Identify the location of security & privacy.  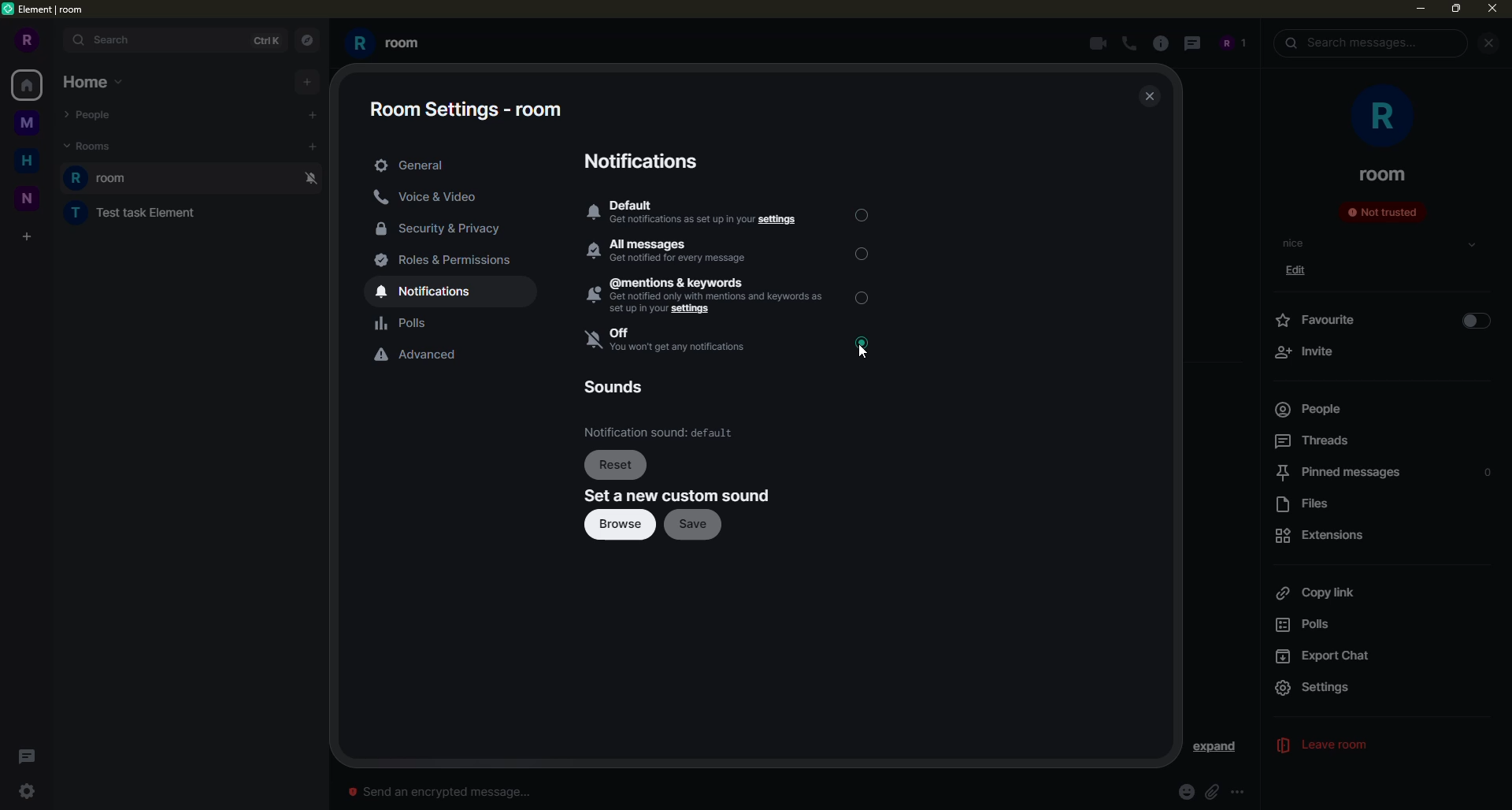
(443, 230).